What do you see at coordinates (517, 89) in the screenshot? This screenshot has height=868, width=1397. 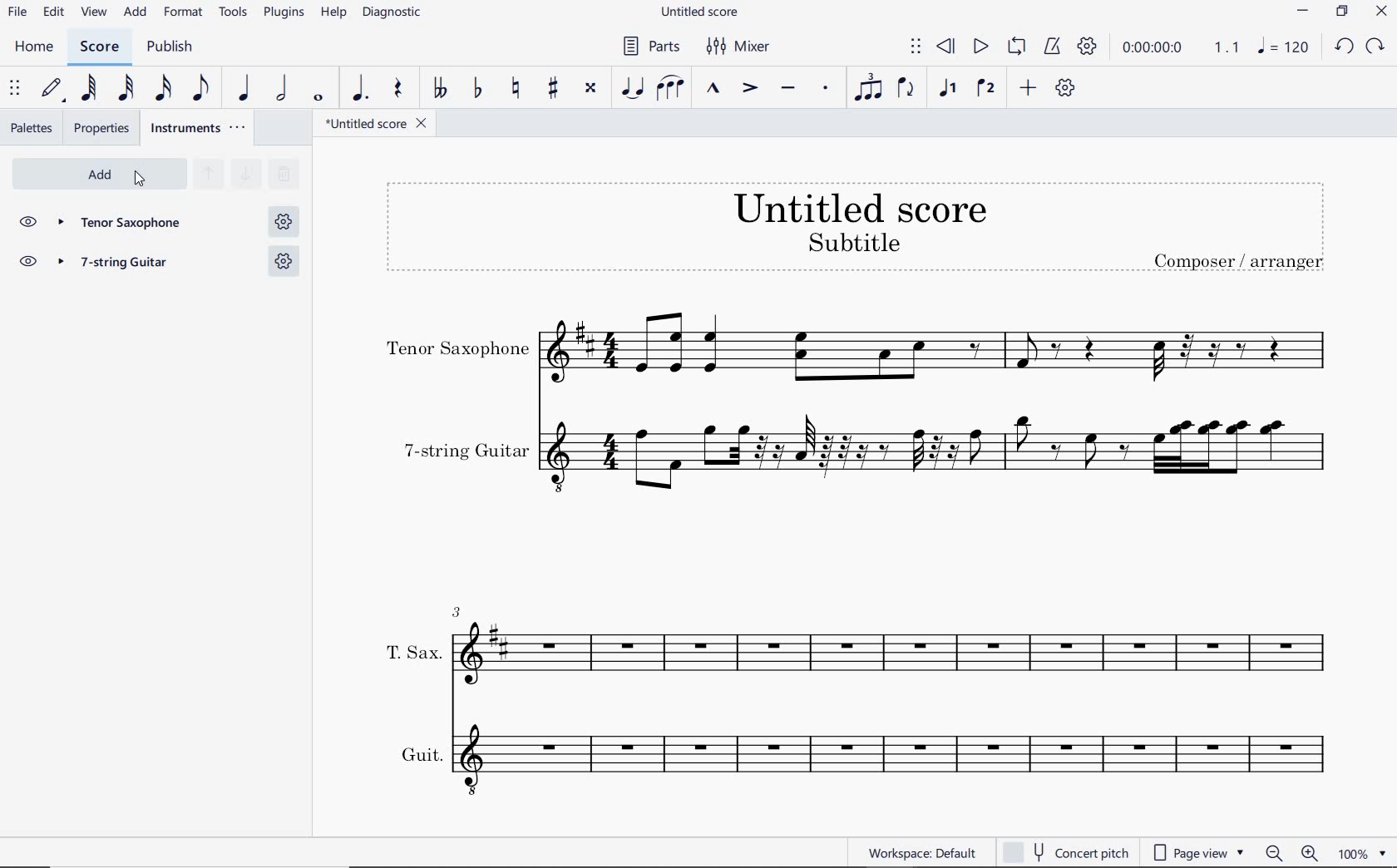 I see `TOGGLE NATURAL` at bounding box center [517, 89].